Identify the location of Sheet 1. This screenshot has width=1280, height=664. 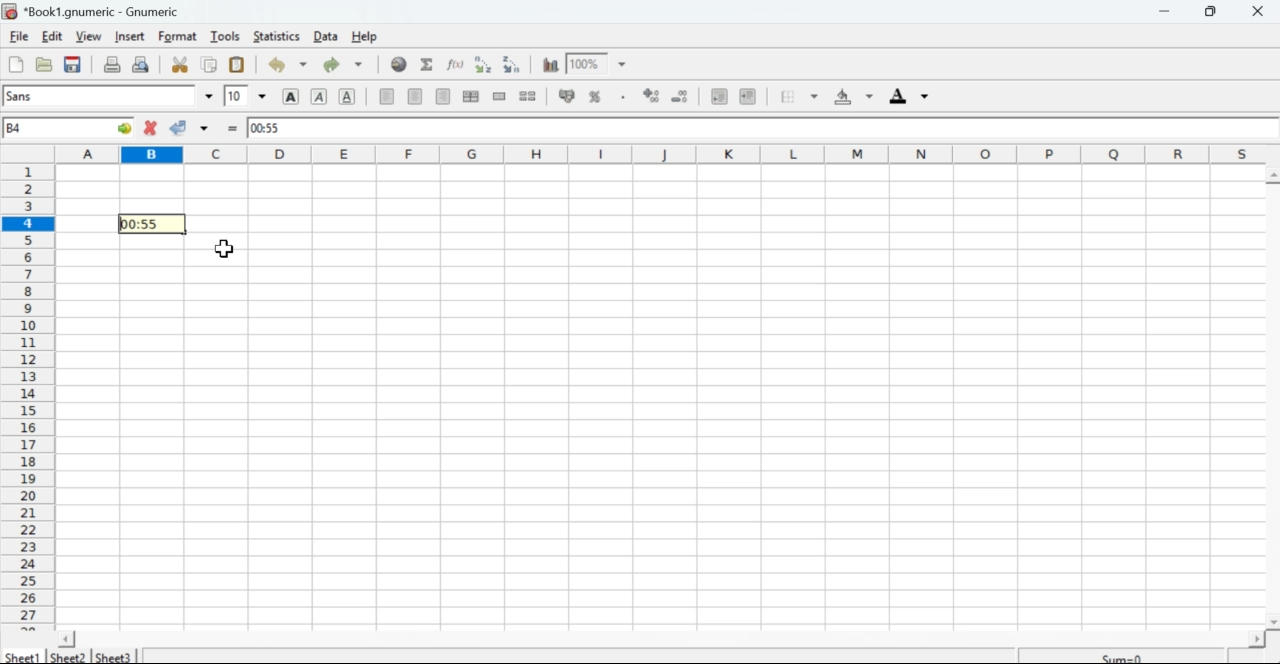
(24, 656).